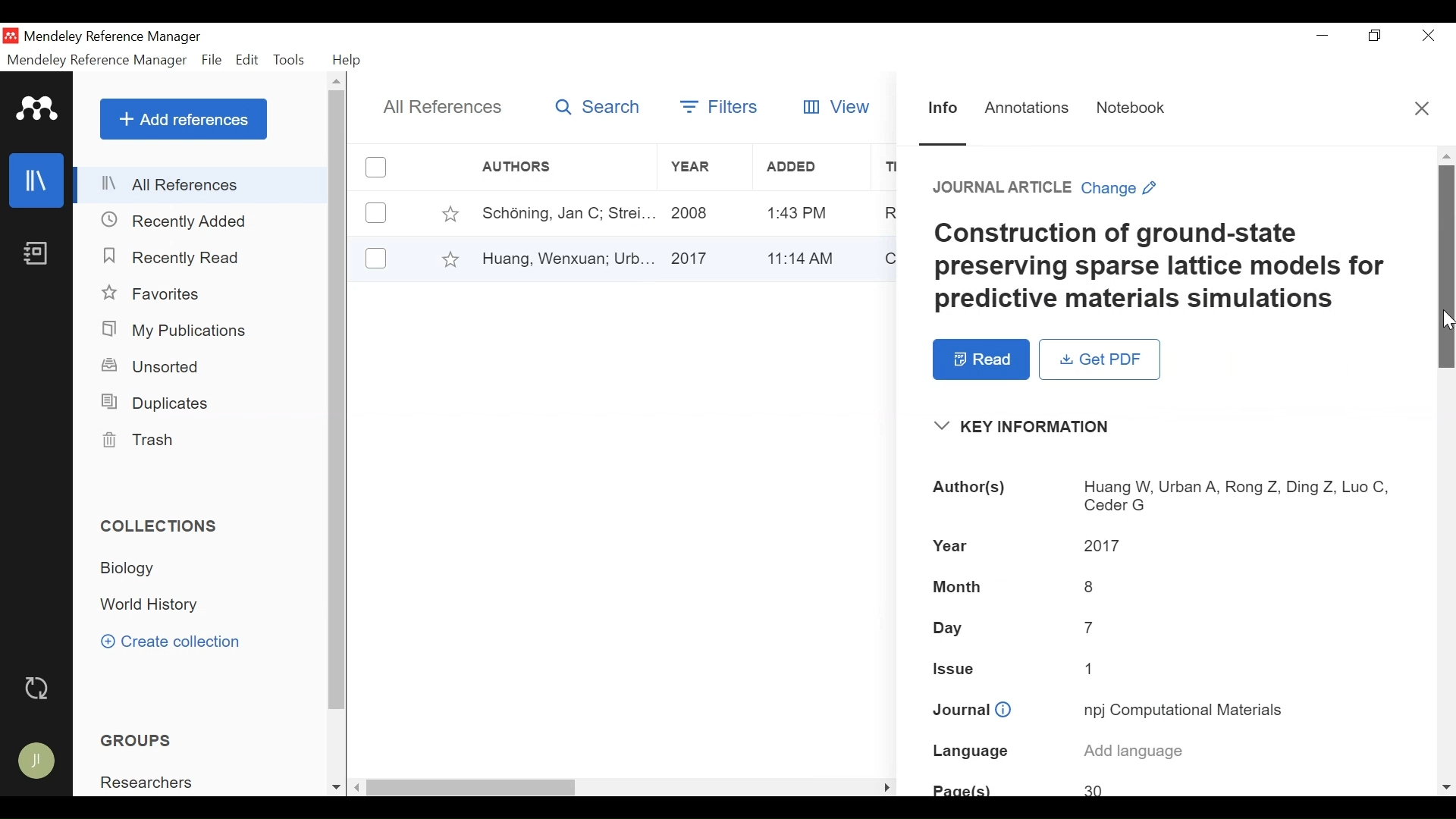 The width and height of the screenshot is (1456, 819). What do you see at coordinates (152, 783) in the screenshot?
I see `Group` at bounding box center [152, 783].